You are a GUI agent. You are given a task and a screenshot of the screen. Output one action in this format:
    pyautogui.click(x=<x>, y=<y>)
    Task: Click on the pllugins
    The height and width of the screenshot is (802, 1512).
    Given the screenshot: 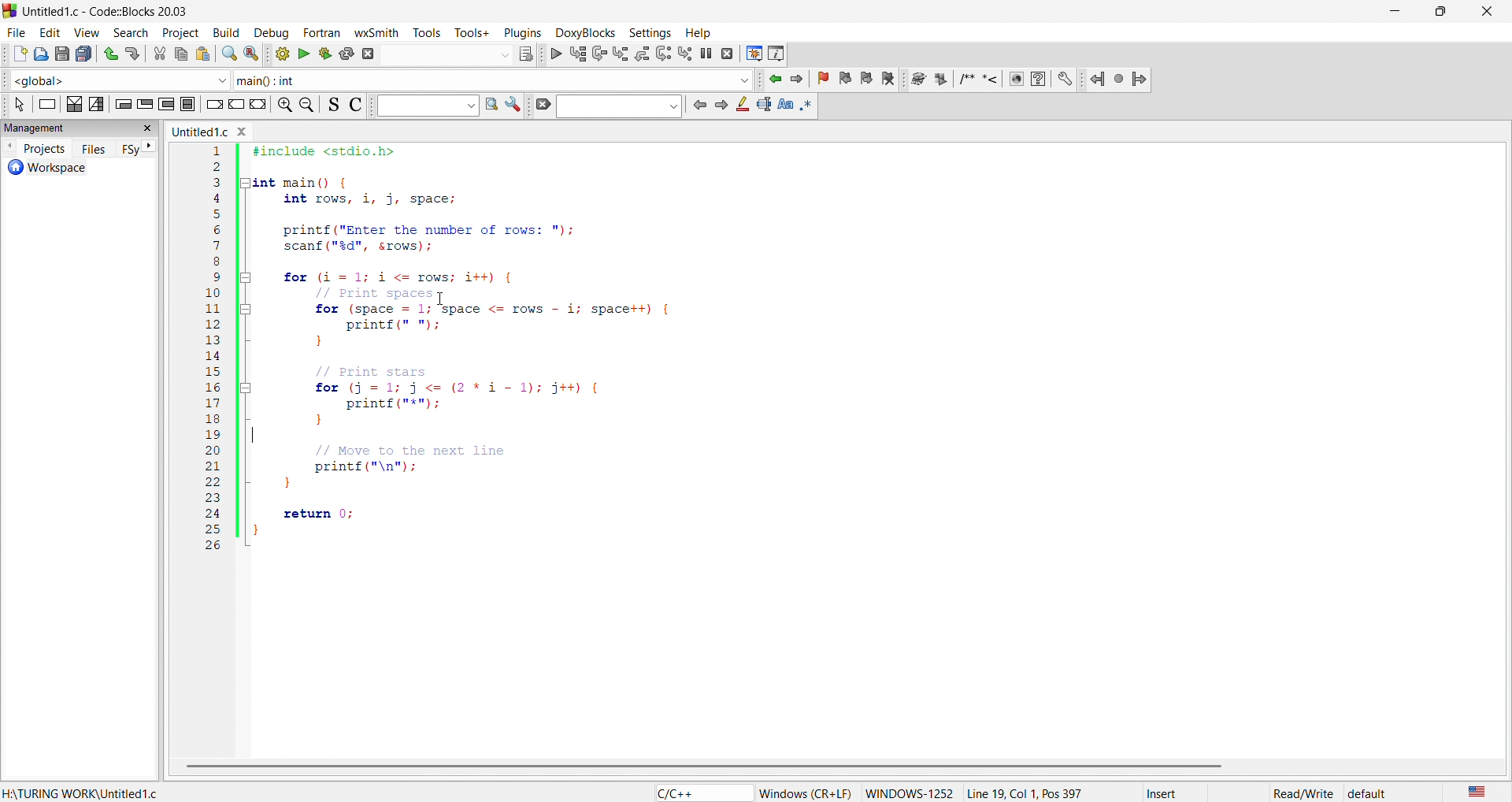 What is the action you would take?
    pyautogui.click(x=520, y=31)
    